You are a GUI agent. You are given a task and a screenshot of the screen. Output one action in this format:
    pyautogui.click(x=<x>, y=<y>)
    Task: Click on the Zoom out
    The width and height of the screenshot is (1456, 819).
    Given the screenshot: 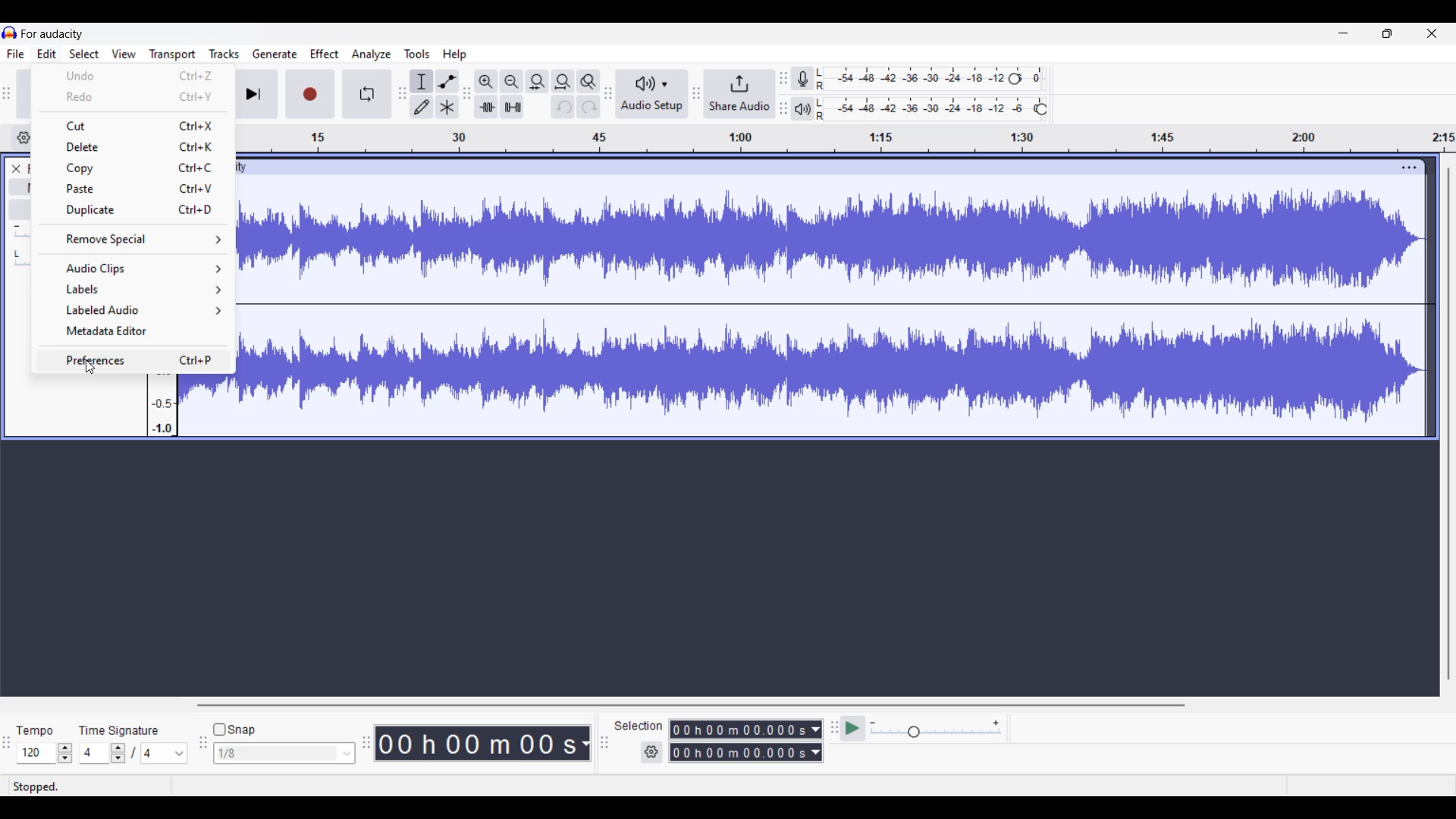 What is the action you would take?
    pyautogui.click(x=512, y=82)
    